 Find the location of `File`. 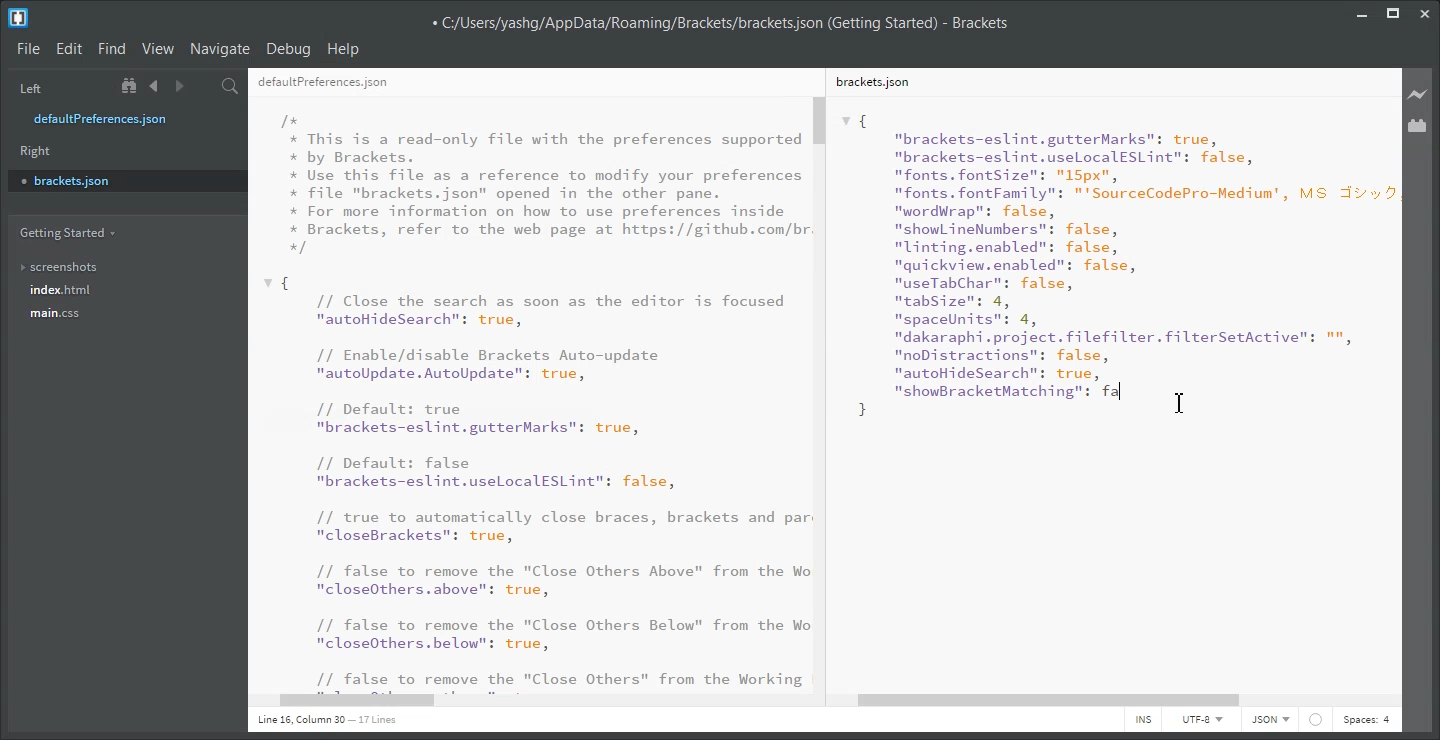

File is located at coordinates (28, 50).